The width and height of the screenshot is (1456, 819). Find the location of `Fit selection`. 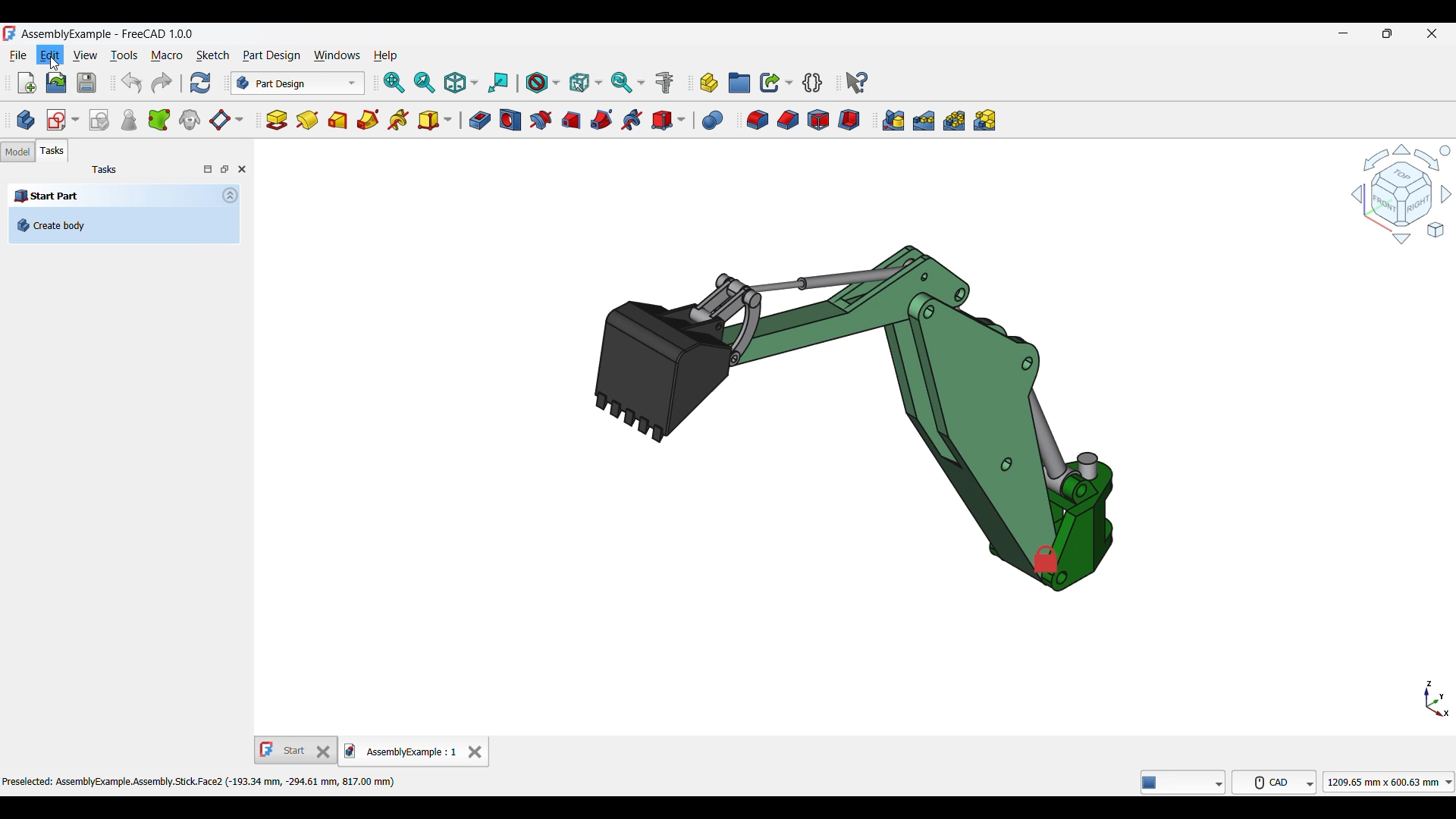

Fit selection is located at coordinates (425, 83).